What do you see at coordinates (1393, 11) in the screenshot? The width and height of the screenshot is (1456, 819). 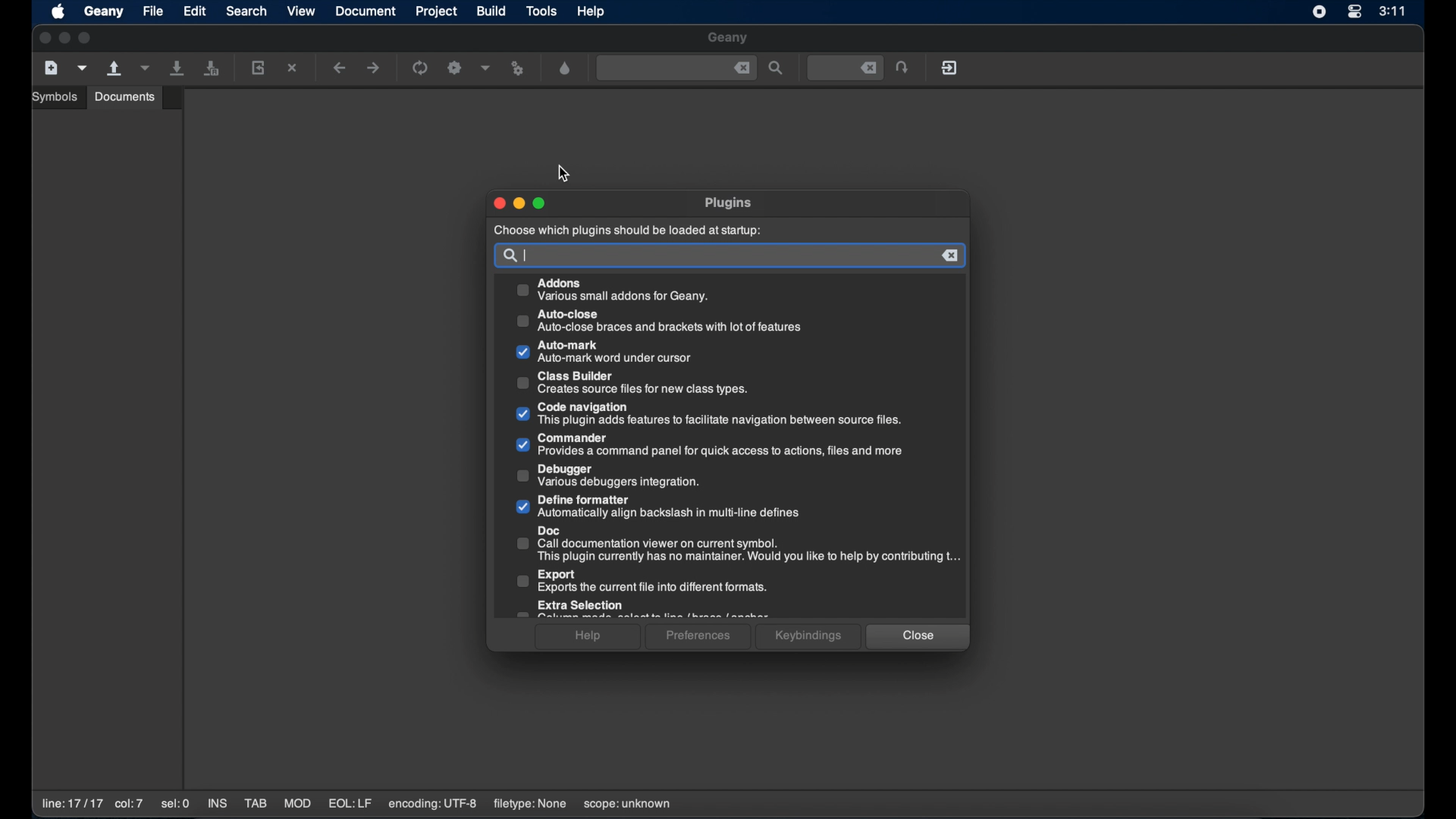 I see `3:11` at bounding box center [1393, 11].